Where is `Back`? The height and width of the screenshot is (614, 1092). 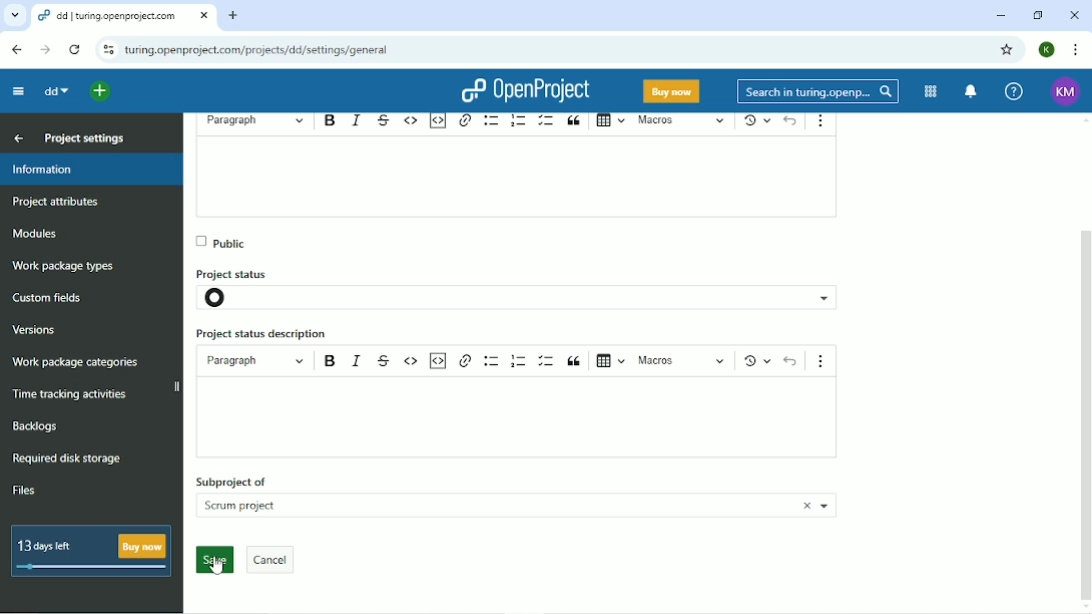 Back is located at coordinates (19, 50).